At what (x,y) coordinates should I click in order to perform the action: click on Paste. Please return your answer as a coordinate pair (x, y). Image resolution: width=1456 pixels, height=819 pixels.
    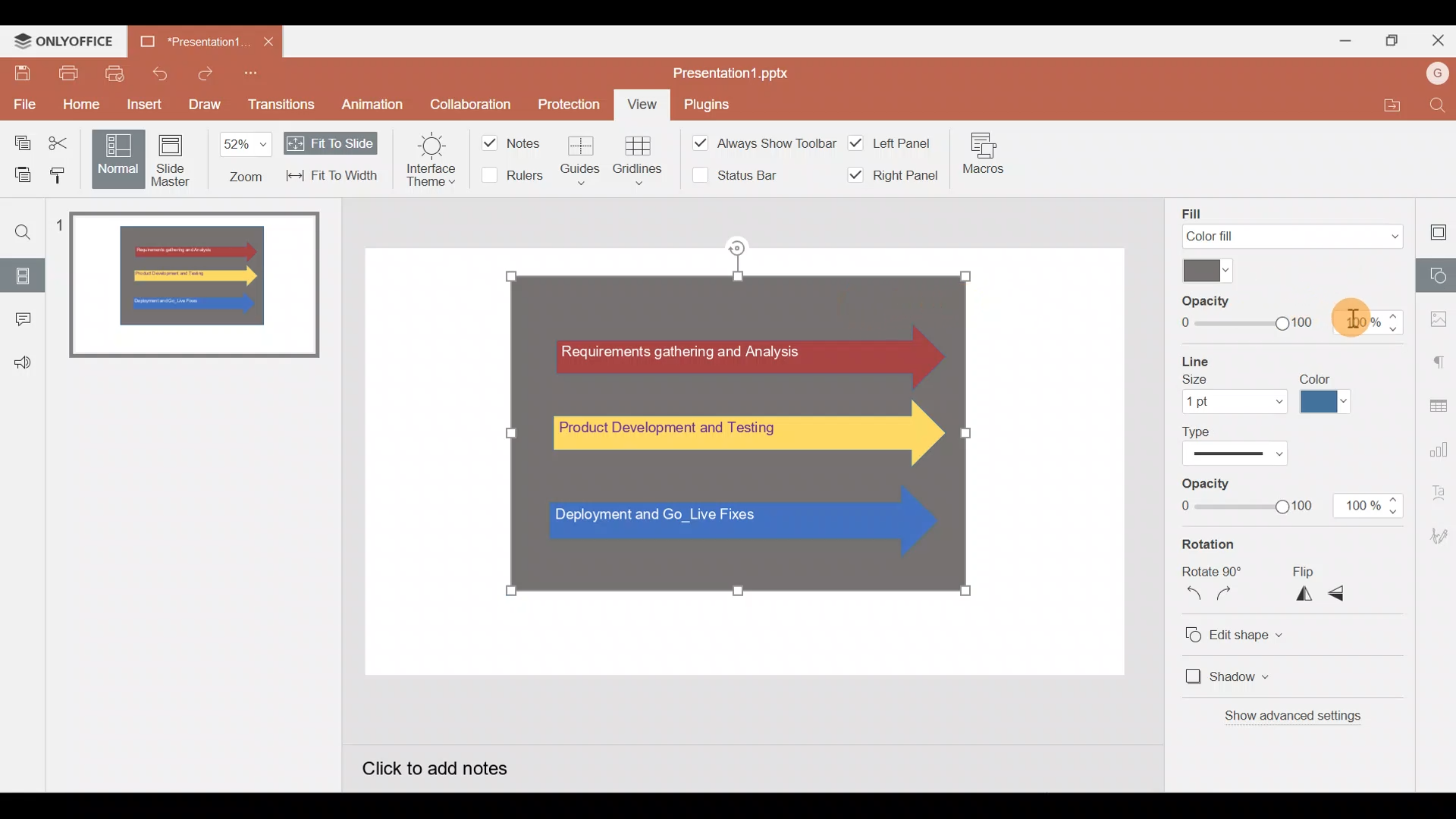
    Looking at the image, I should click on (18, 174).